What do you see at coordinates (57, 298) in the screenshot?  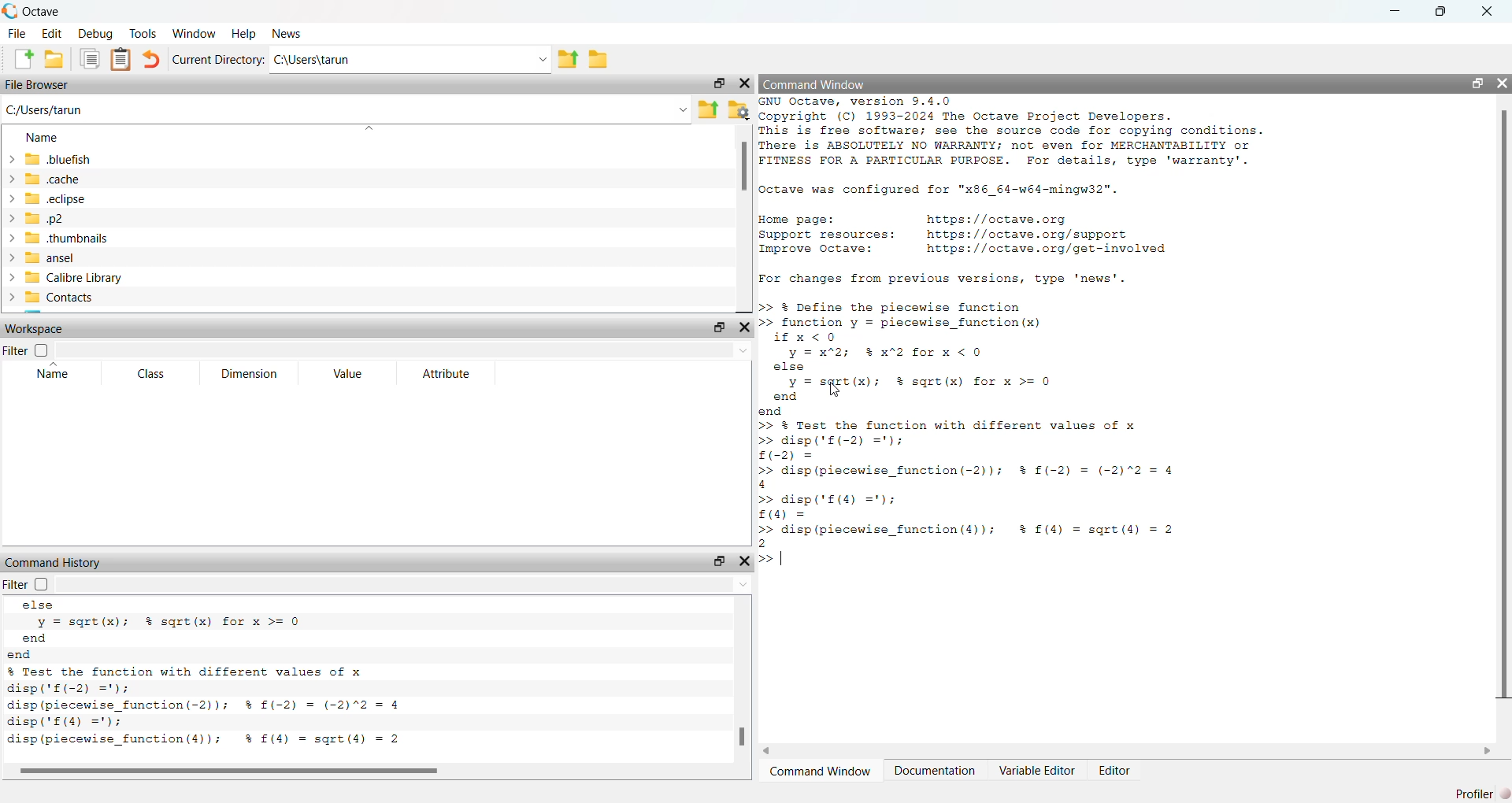 I see `Contacts` at bounding box center [57, 298].